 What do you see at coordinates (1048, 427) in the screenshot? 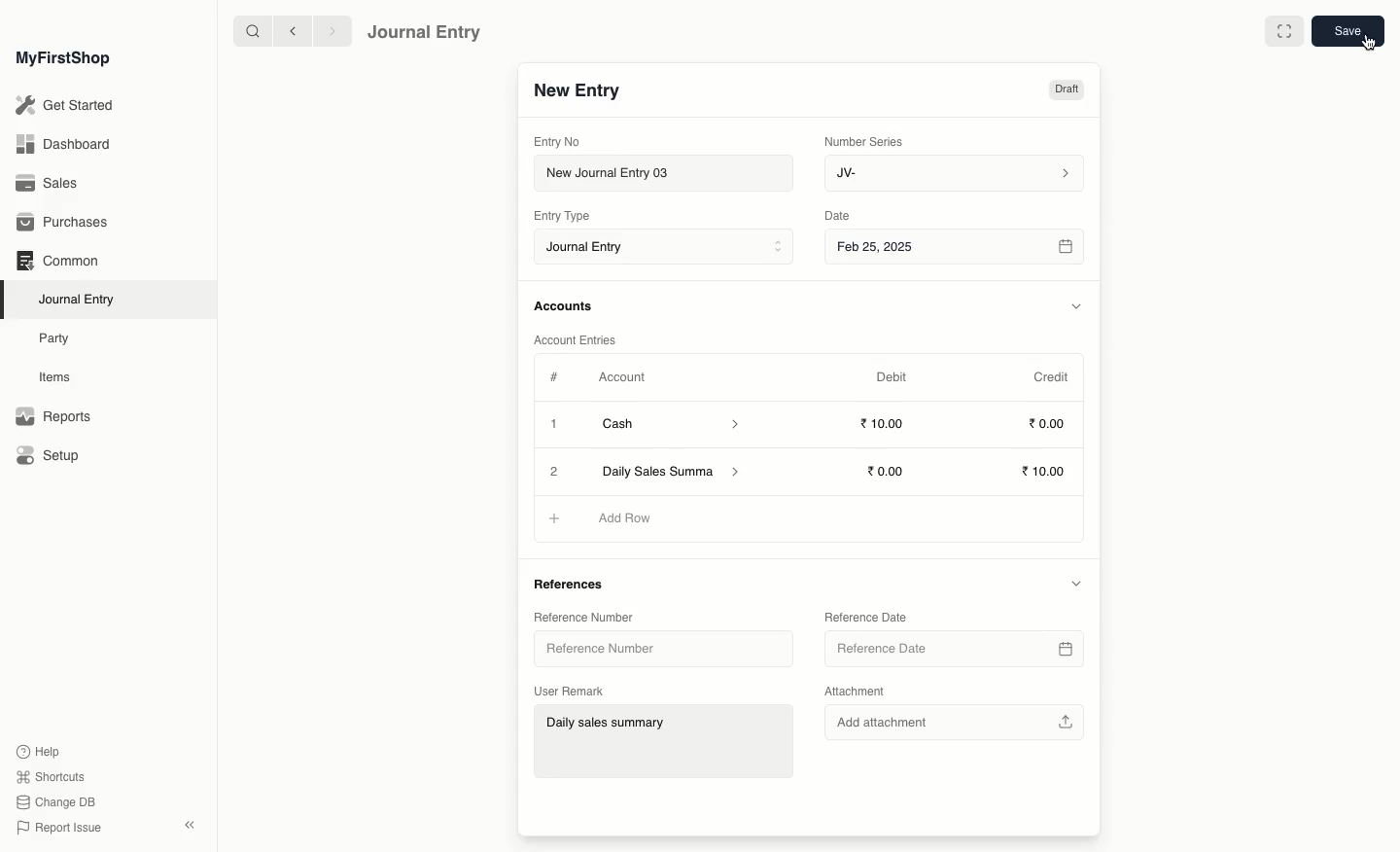
I see `0.00` at bounding box center [1048, 427].